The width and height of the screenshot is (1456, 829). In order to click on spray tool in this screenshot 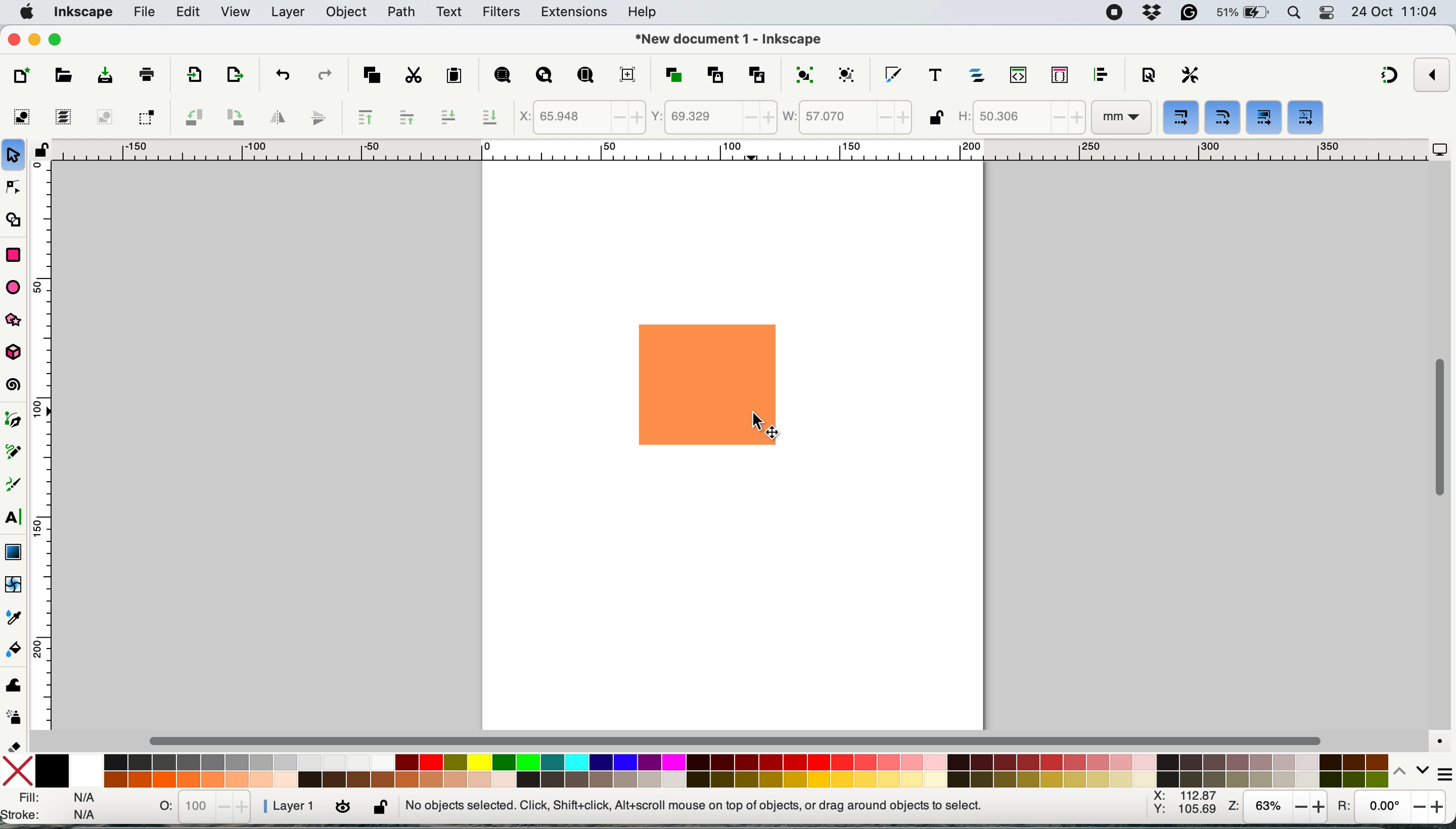, I will do `click(15, 717)`.